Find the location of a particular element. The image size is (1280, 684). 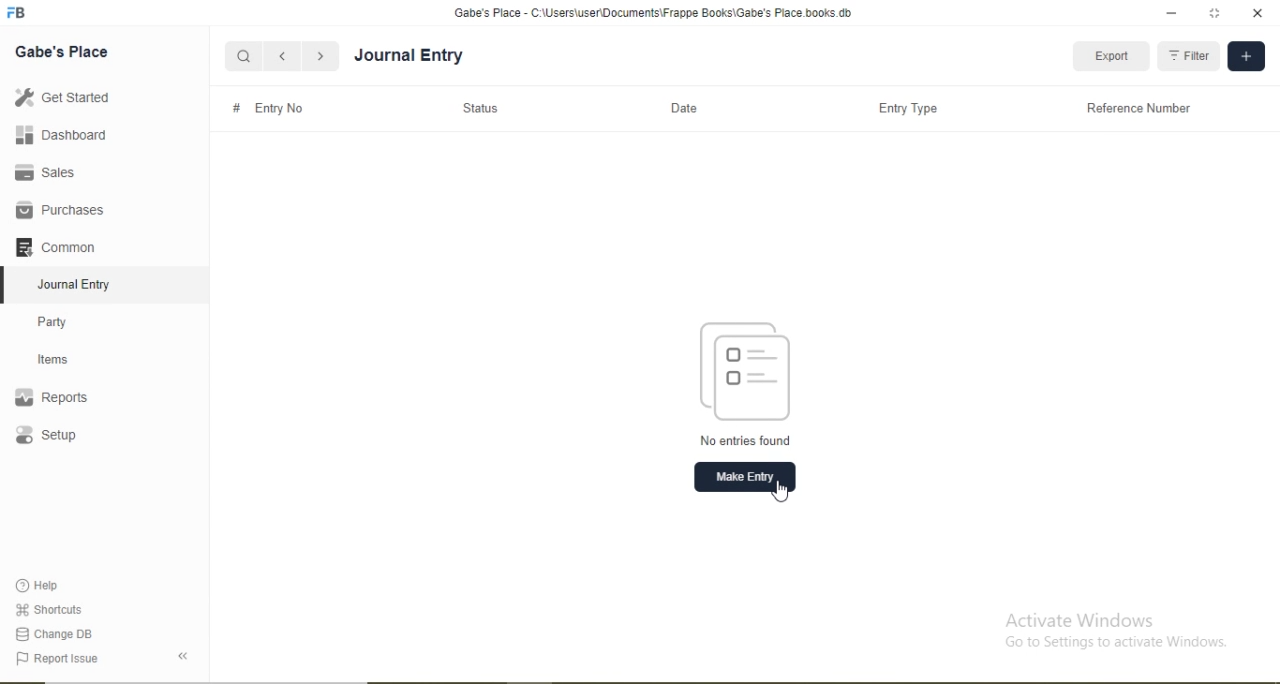

Help is located at coordinates (46, 586).